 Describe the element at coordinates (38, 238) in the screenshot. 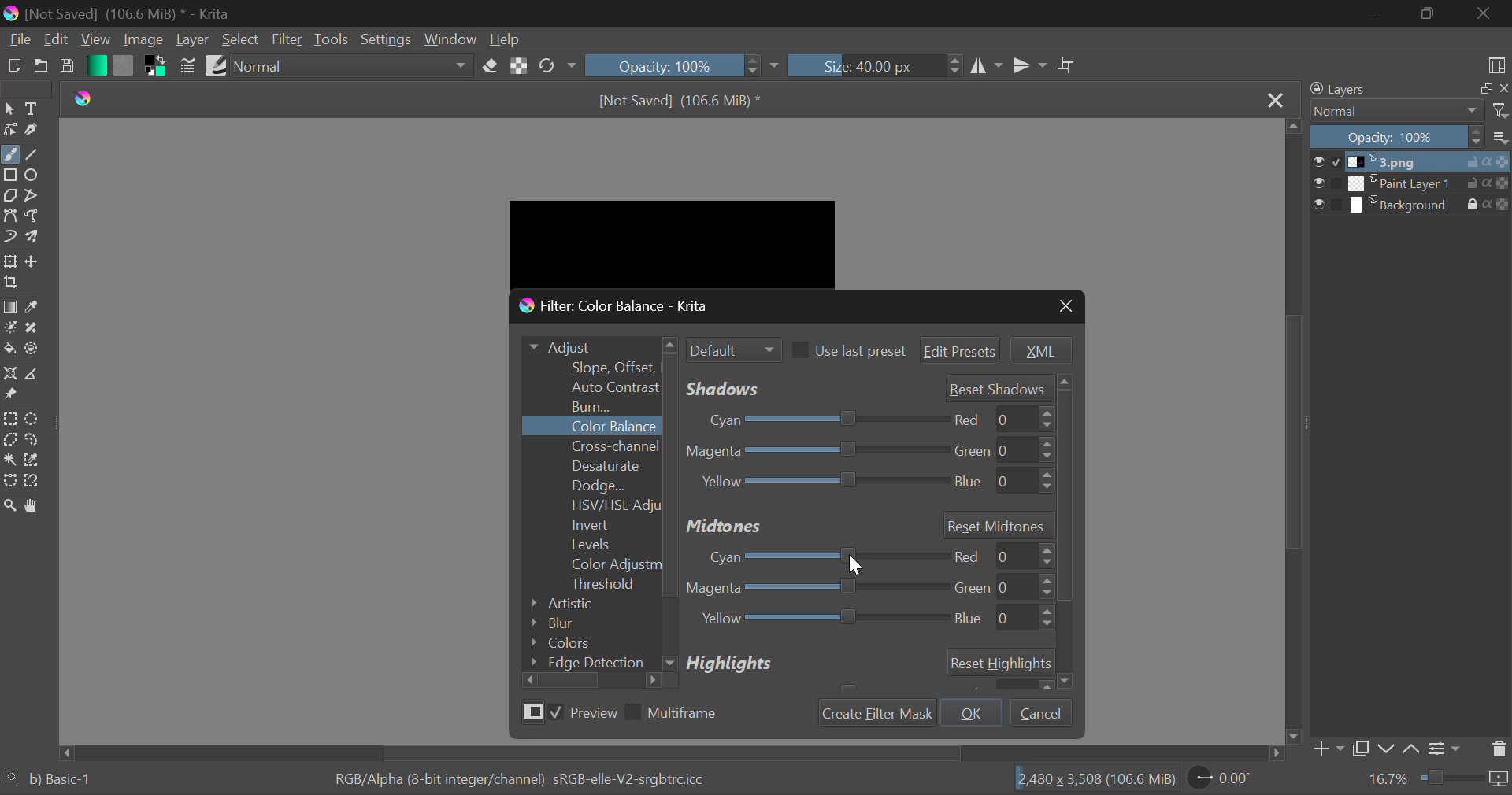

I see `Multibrush Tool` at that location.